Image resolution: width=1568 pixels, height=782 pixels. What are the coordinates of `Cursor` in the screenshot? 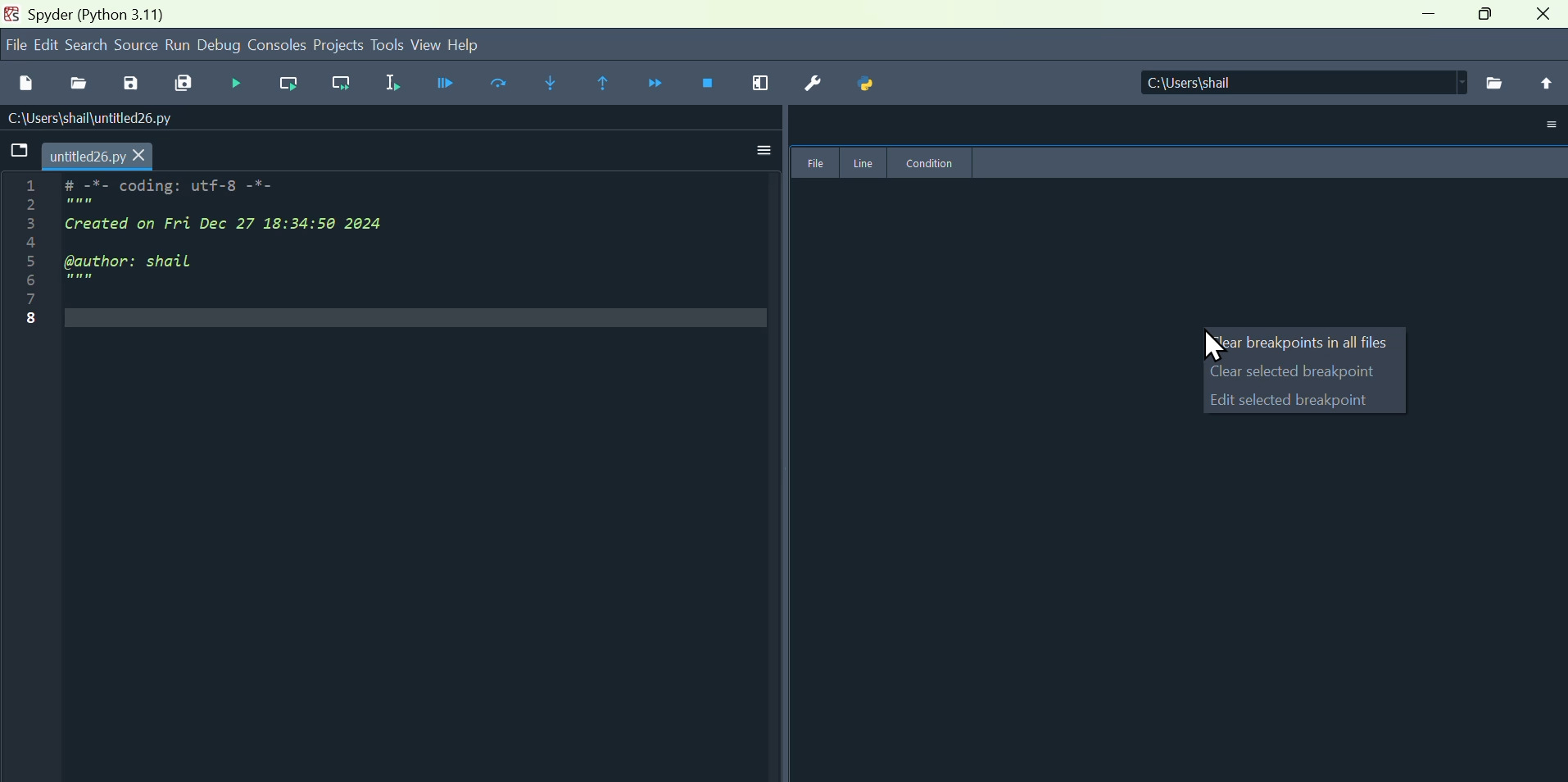 It's located at (1214, 348).